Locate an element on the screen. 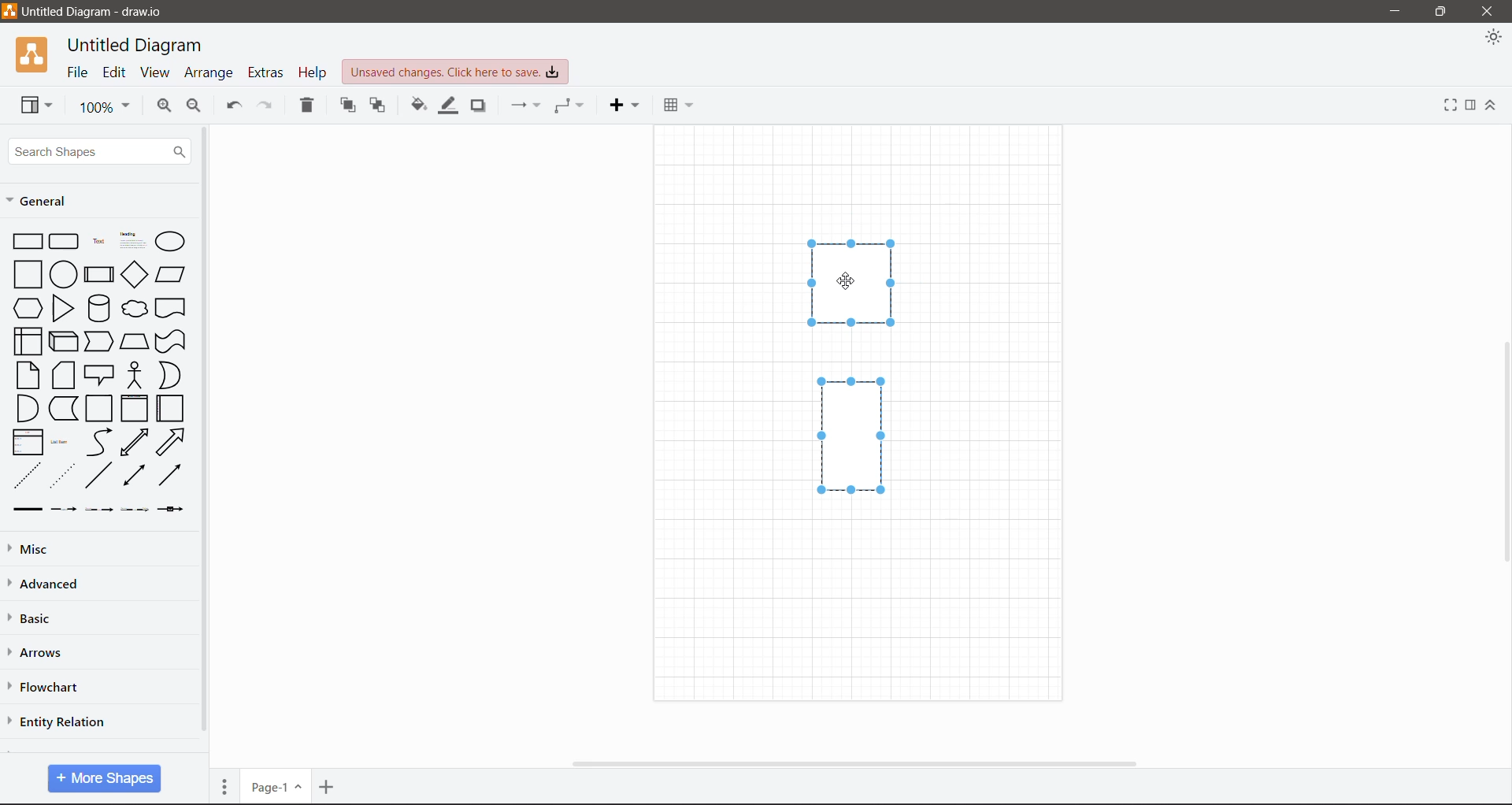 This screenshot has width=1512, height=805. Minimize is located at coordinates (1395, 12).